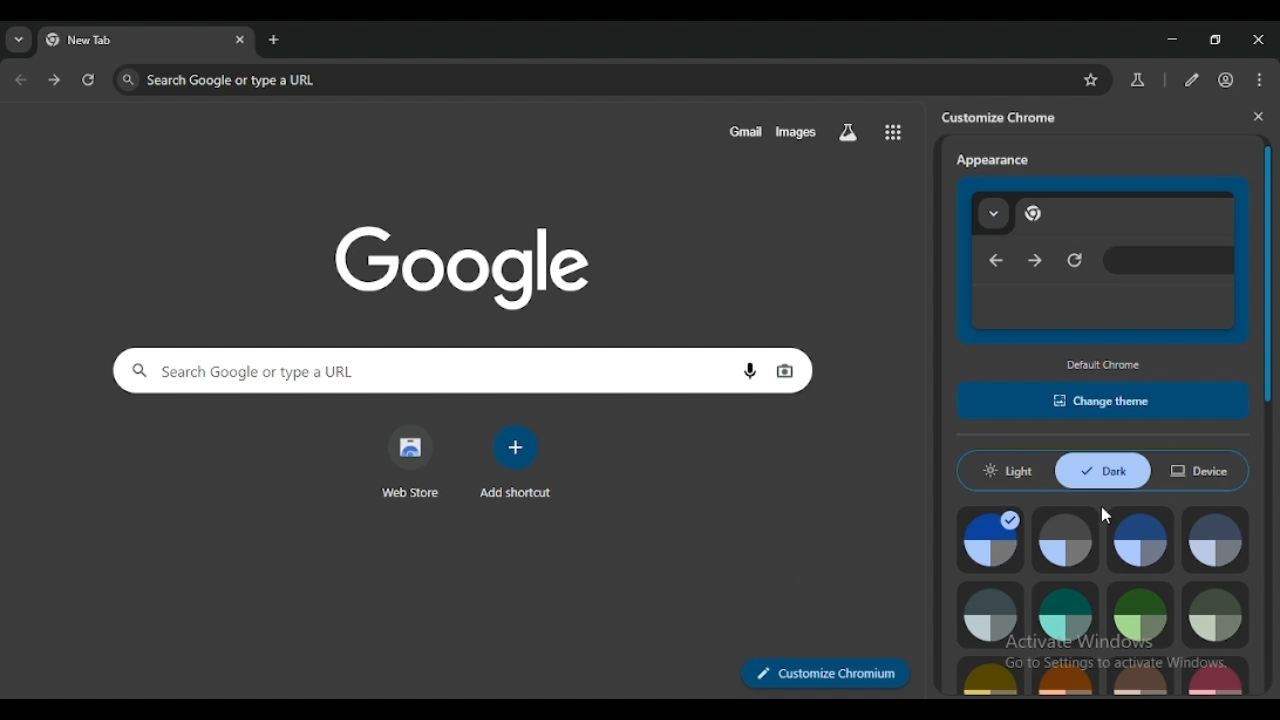 The height and width of the screenshot is (720, 1280). What do you see at coordinates (1218, 678) in the screenshot?
I see `rose` at bounding box center [1218, 678].